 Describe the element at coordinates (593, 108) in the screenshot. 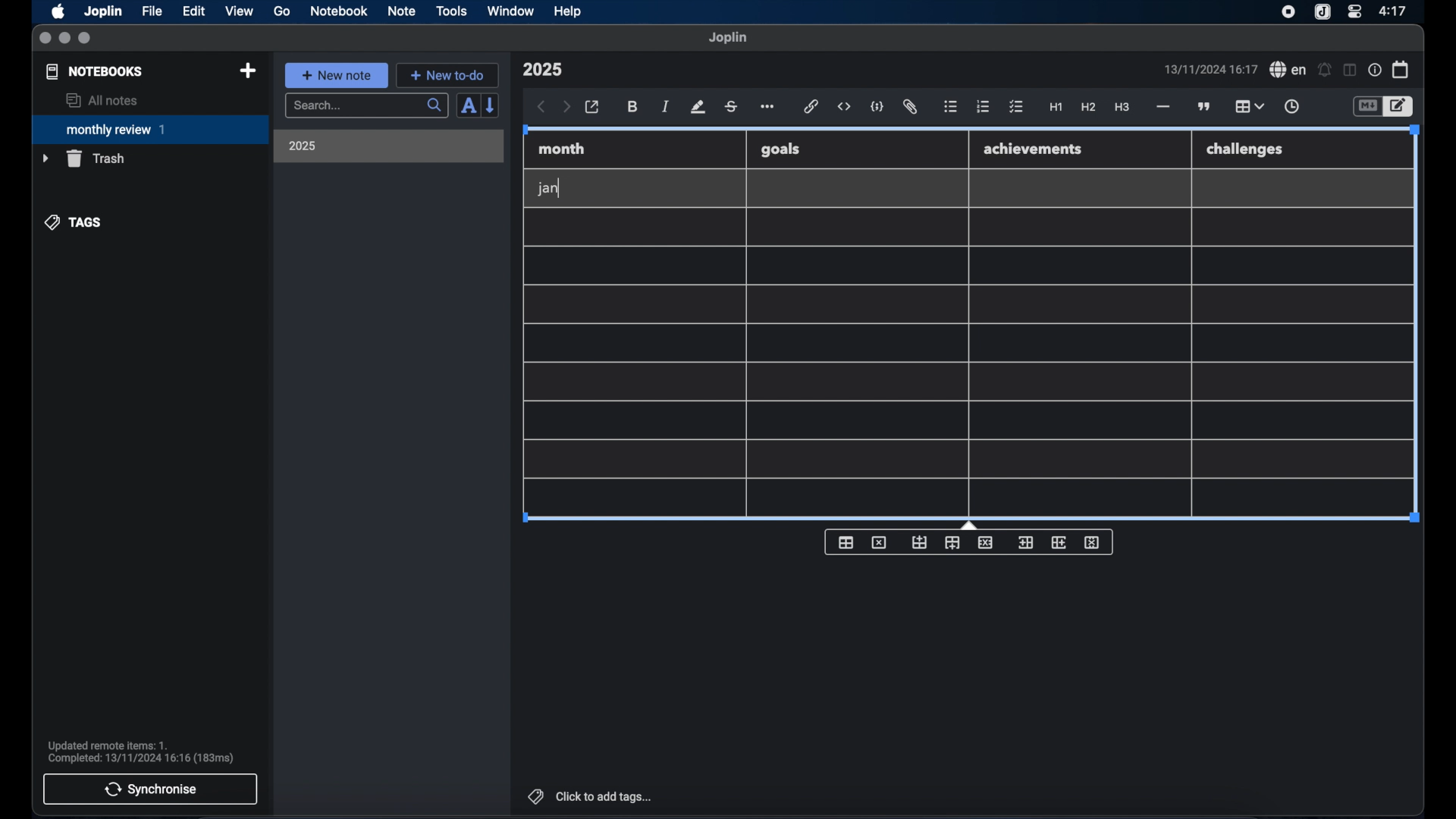

I see `open in external editor` at that location.